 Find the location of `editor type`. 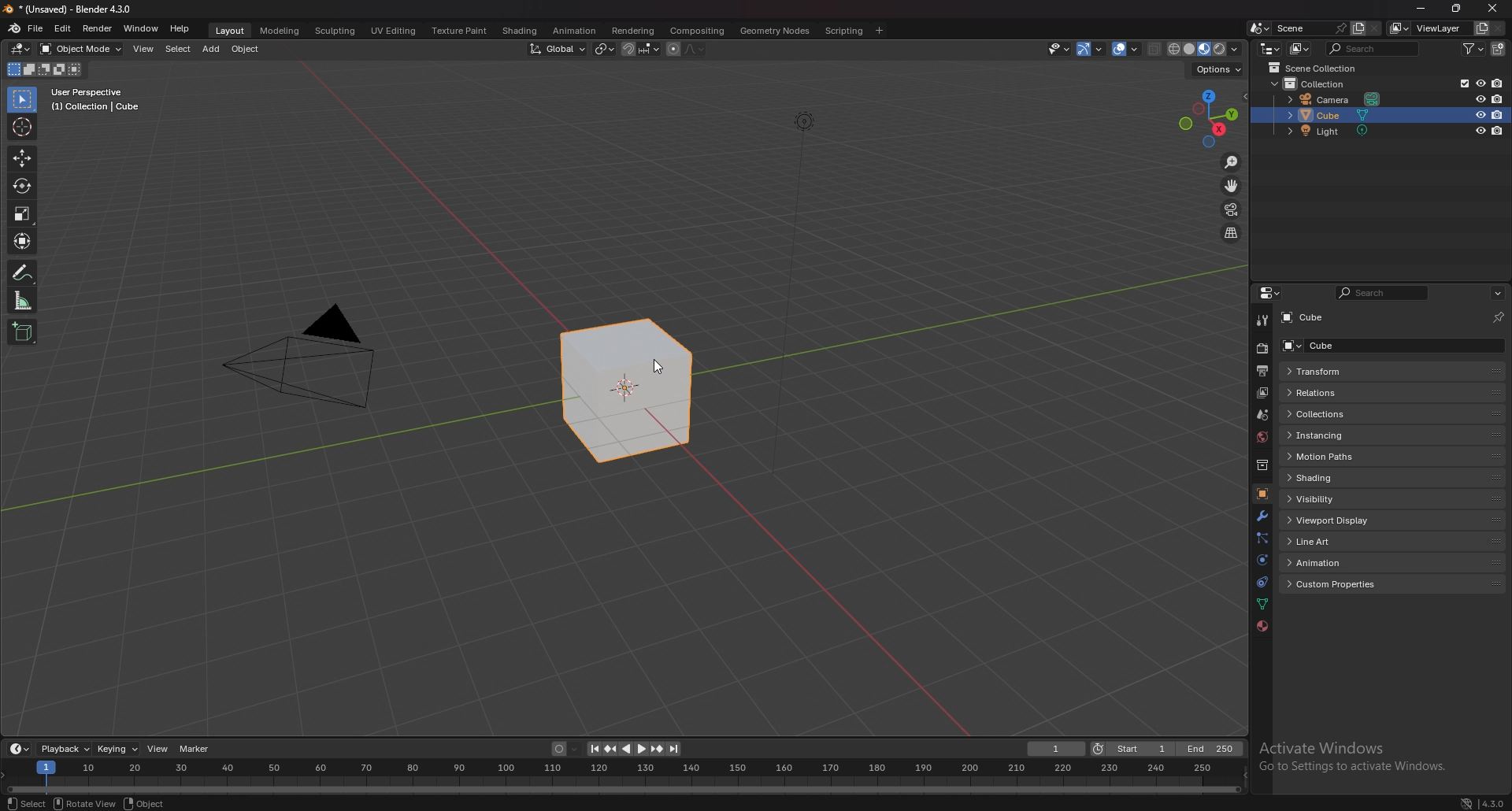

editor type is located at coordinates (20, 750).